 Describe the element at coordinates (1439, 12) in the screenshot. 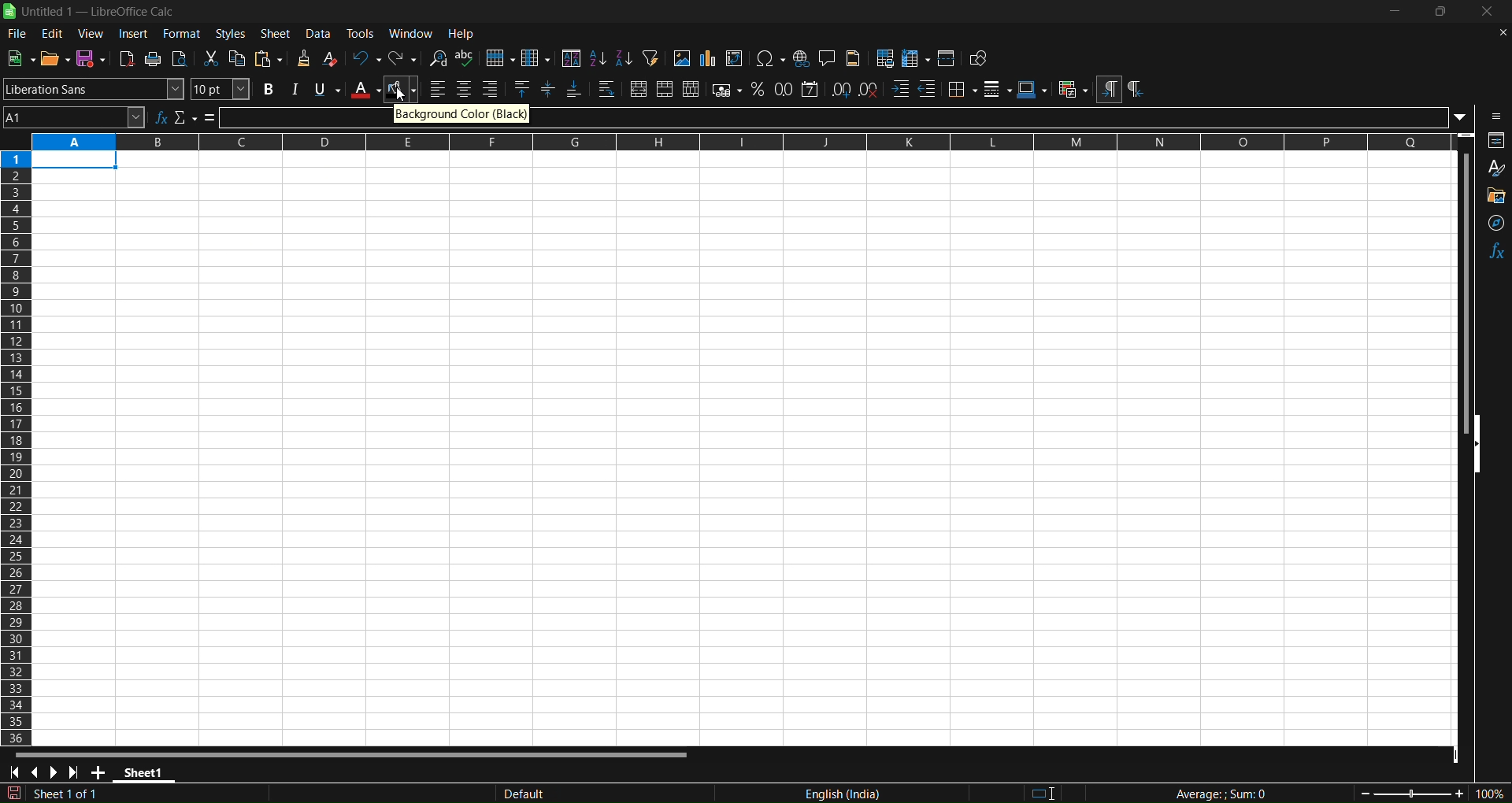

I see `` at that location.